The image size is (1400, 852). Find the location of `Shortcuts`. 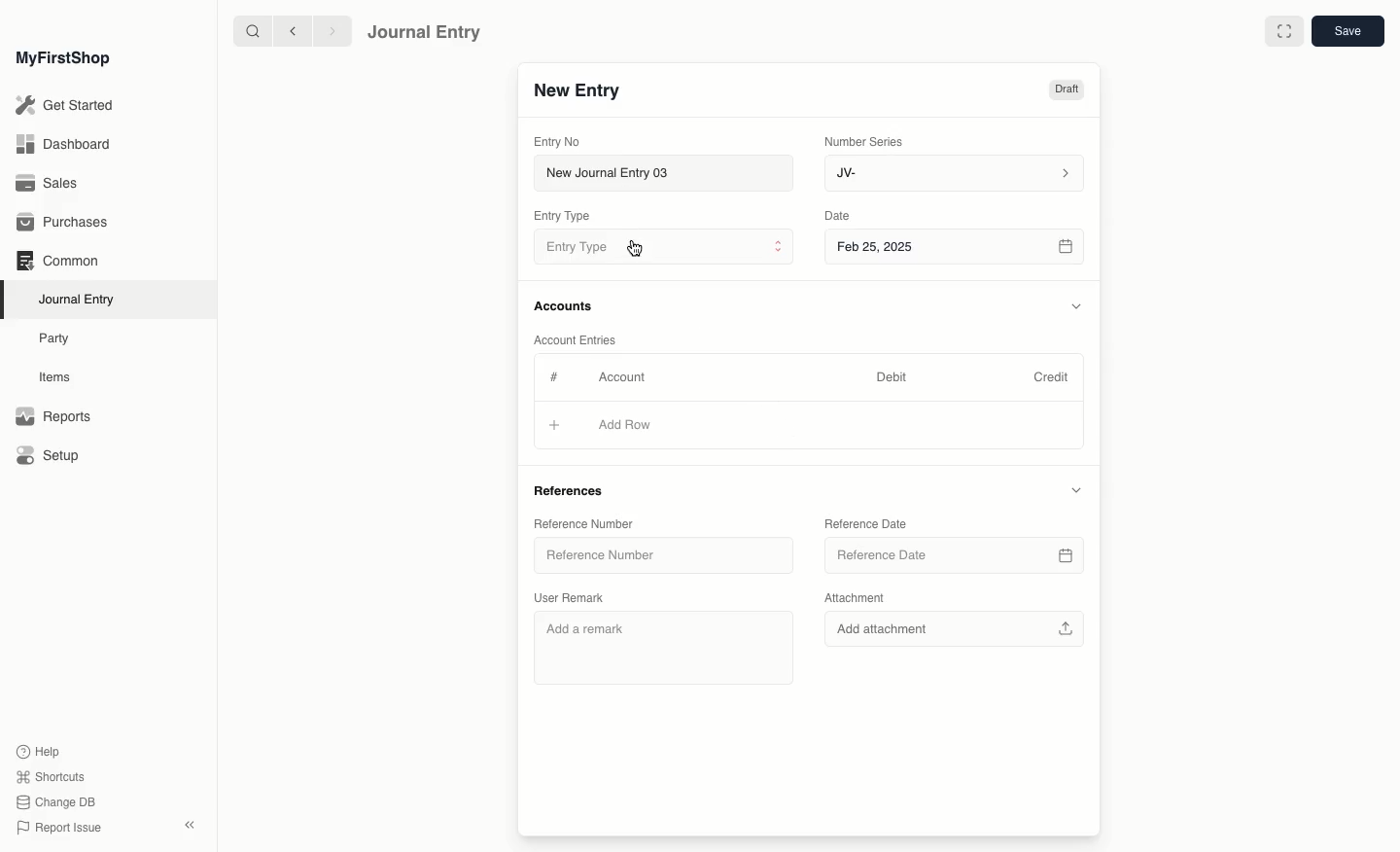

Shortcuts is located at coordinates (48, 775).